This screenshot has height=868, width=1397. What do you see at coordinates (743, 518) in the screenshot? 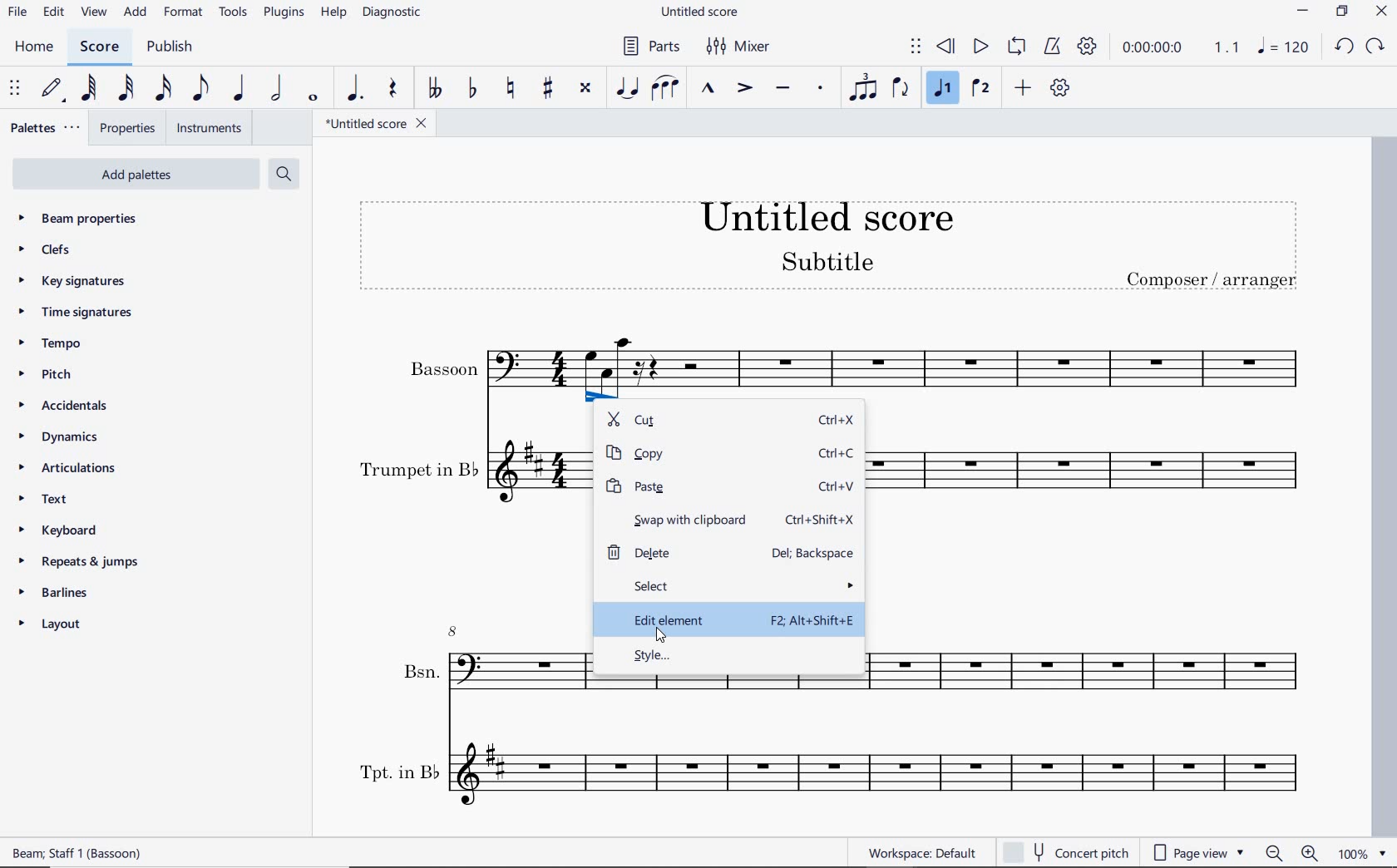
I see `swap with clipboard` at bounding box center [743, 518].